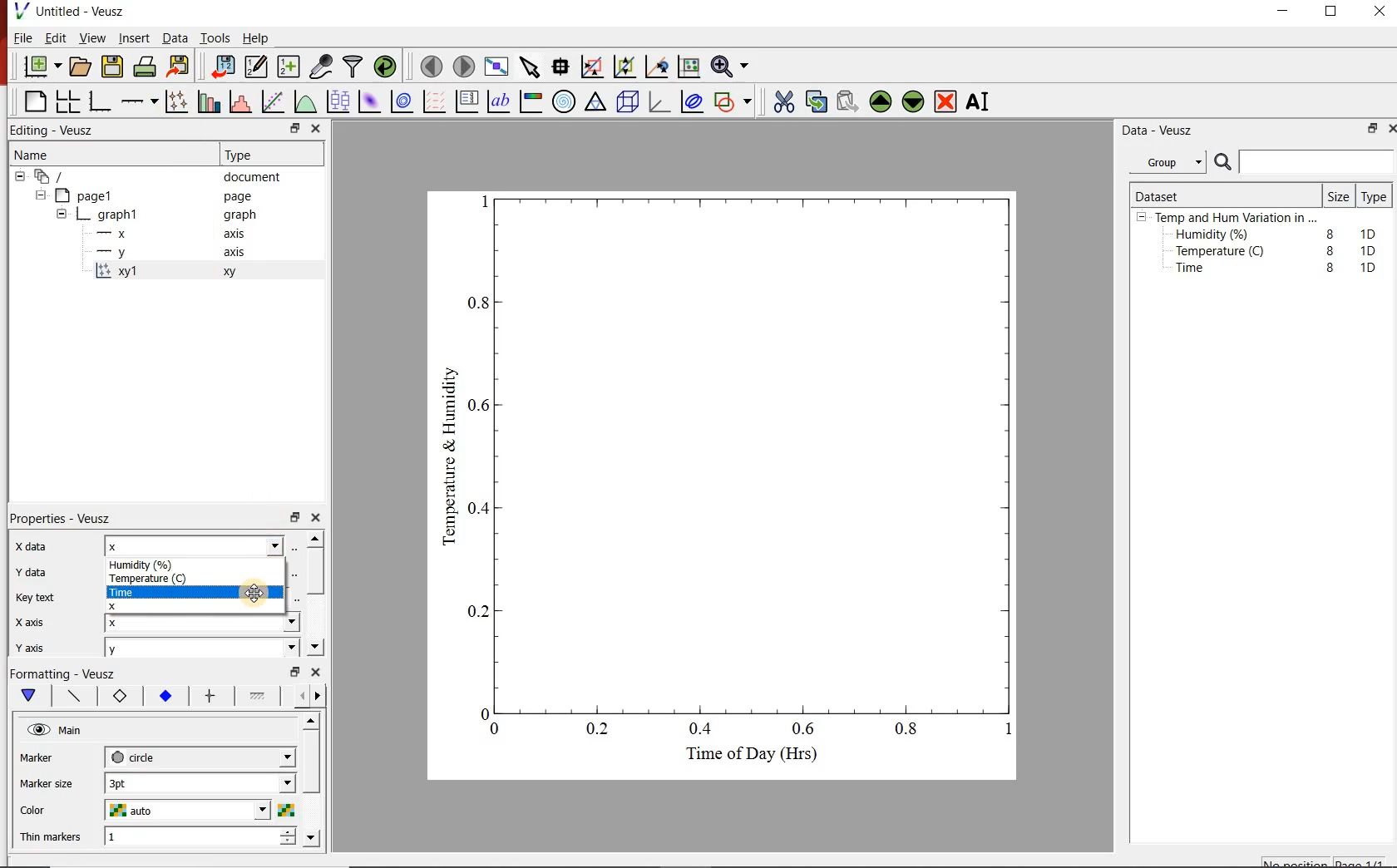 This screenshot has width=1397, height=868. What do you see at coordinates (59, 177) in the screenshot?
I see `document widget` at bounding box center [59, 177].